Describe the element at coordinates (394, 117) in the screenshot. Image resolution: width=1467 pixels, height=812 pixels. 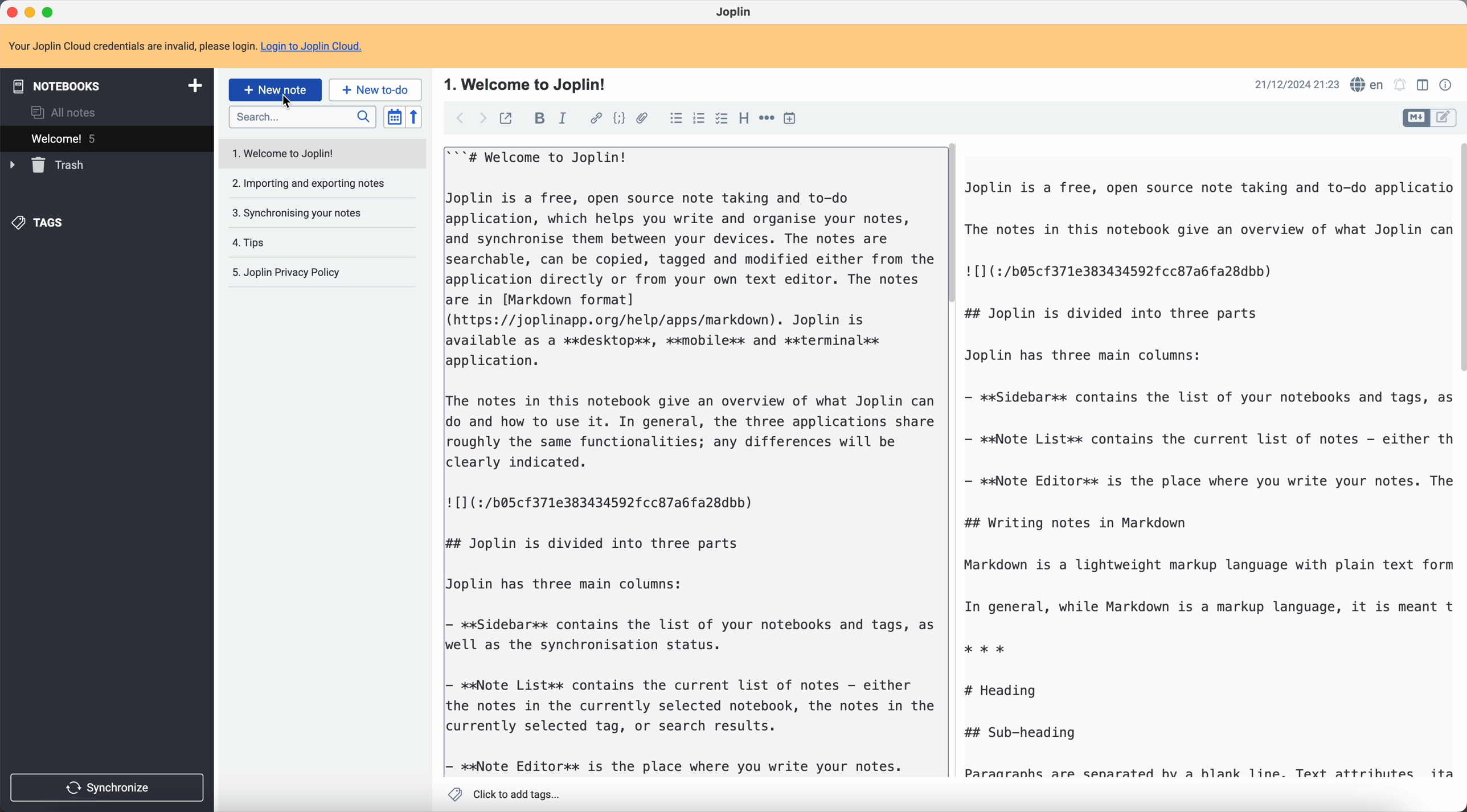
I see `toggle sort order field` at that location.